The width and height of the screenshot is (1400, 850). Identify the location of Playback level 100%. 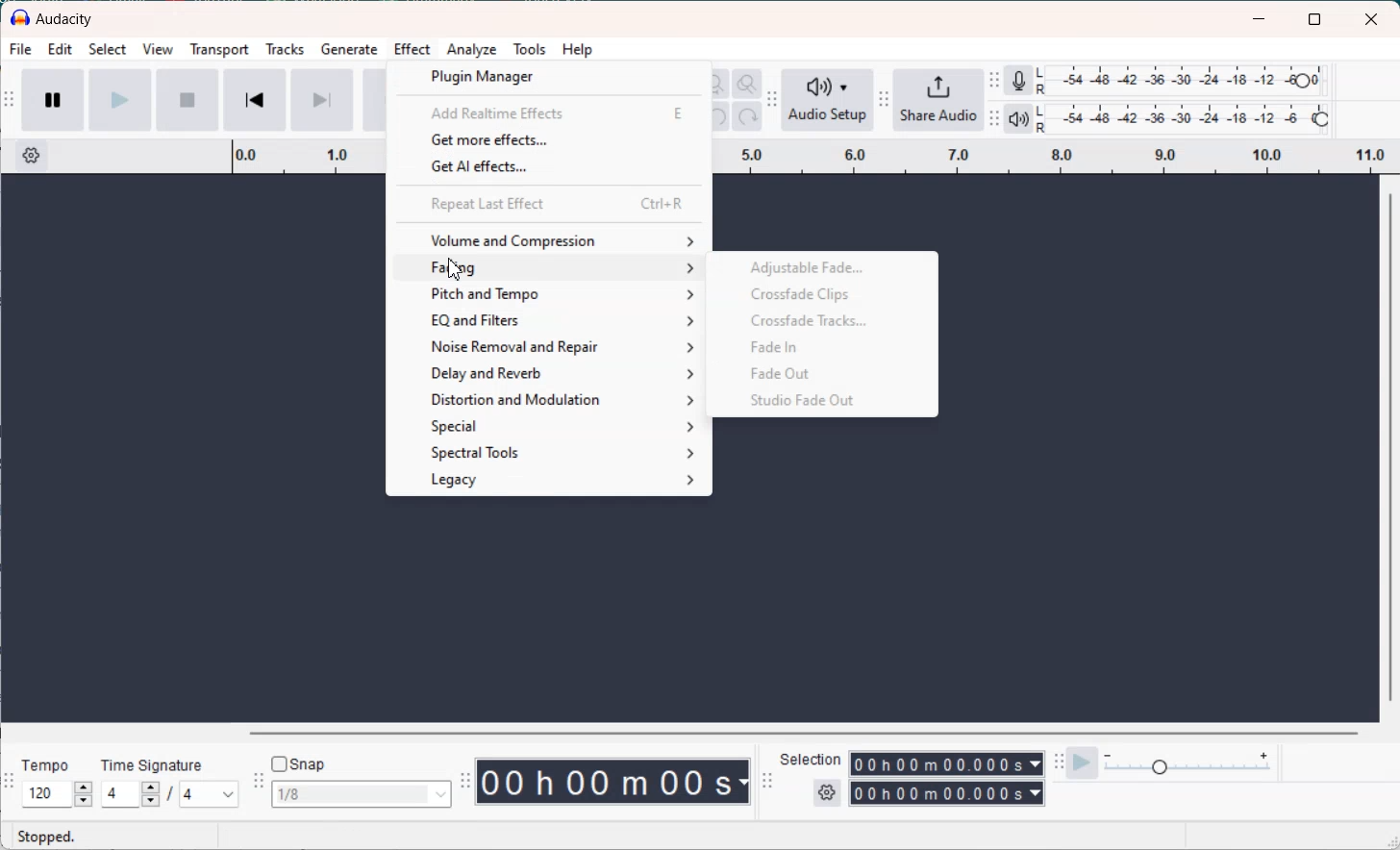
(1183, 120).